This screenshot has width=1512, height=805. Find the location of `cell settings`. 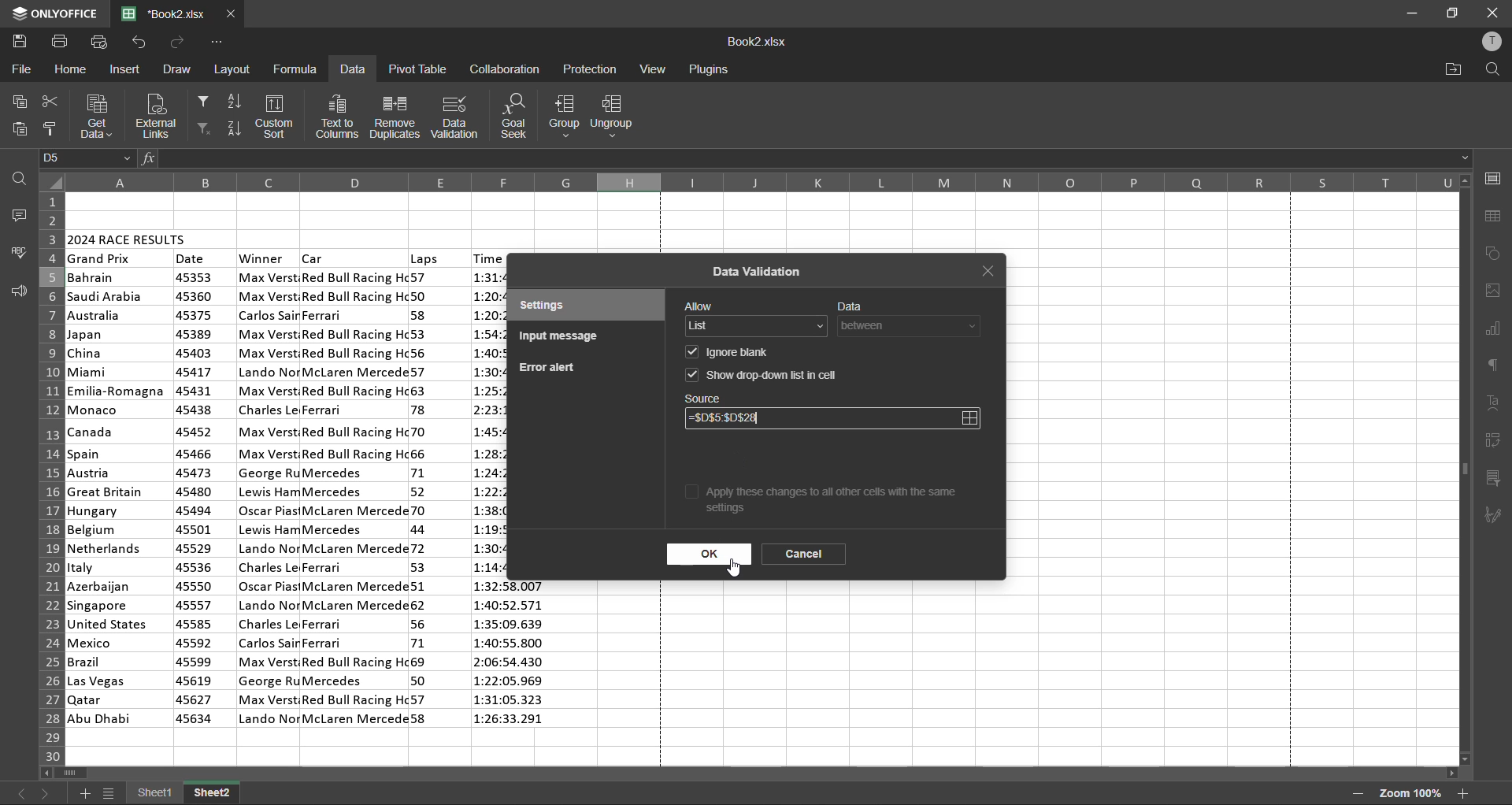

cell settings is located at coordinates (1492, 178).